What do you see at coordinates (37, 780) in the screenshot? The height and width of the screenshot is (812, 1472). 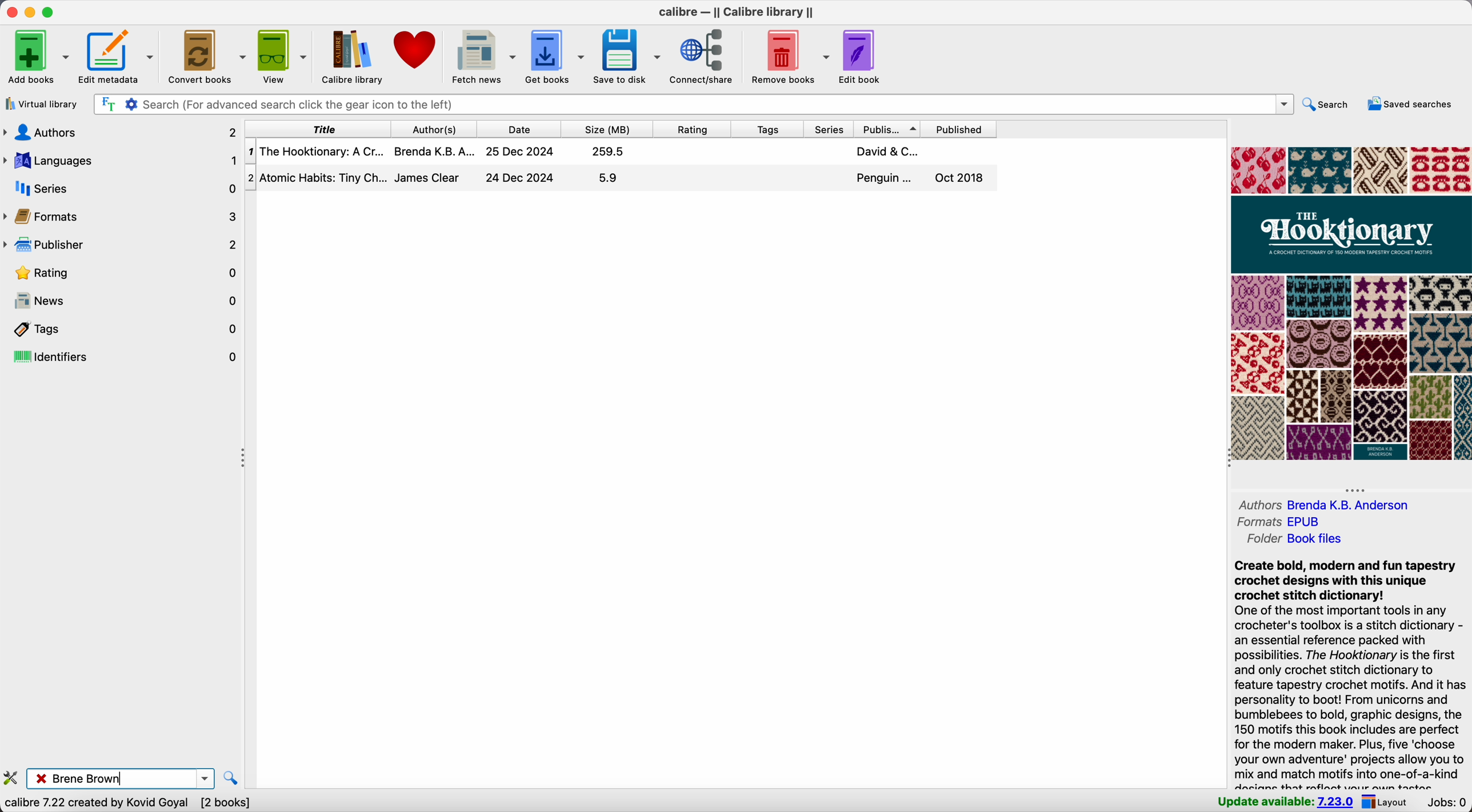 I see `close` at bounding box center [37, 780].